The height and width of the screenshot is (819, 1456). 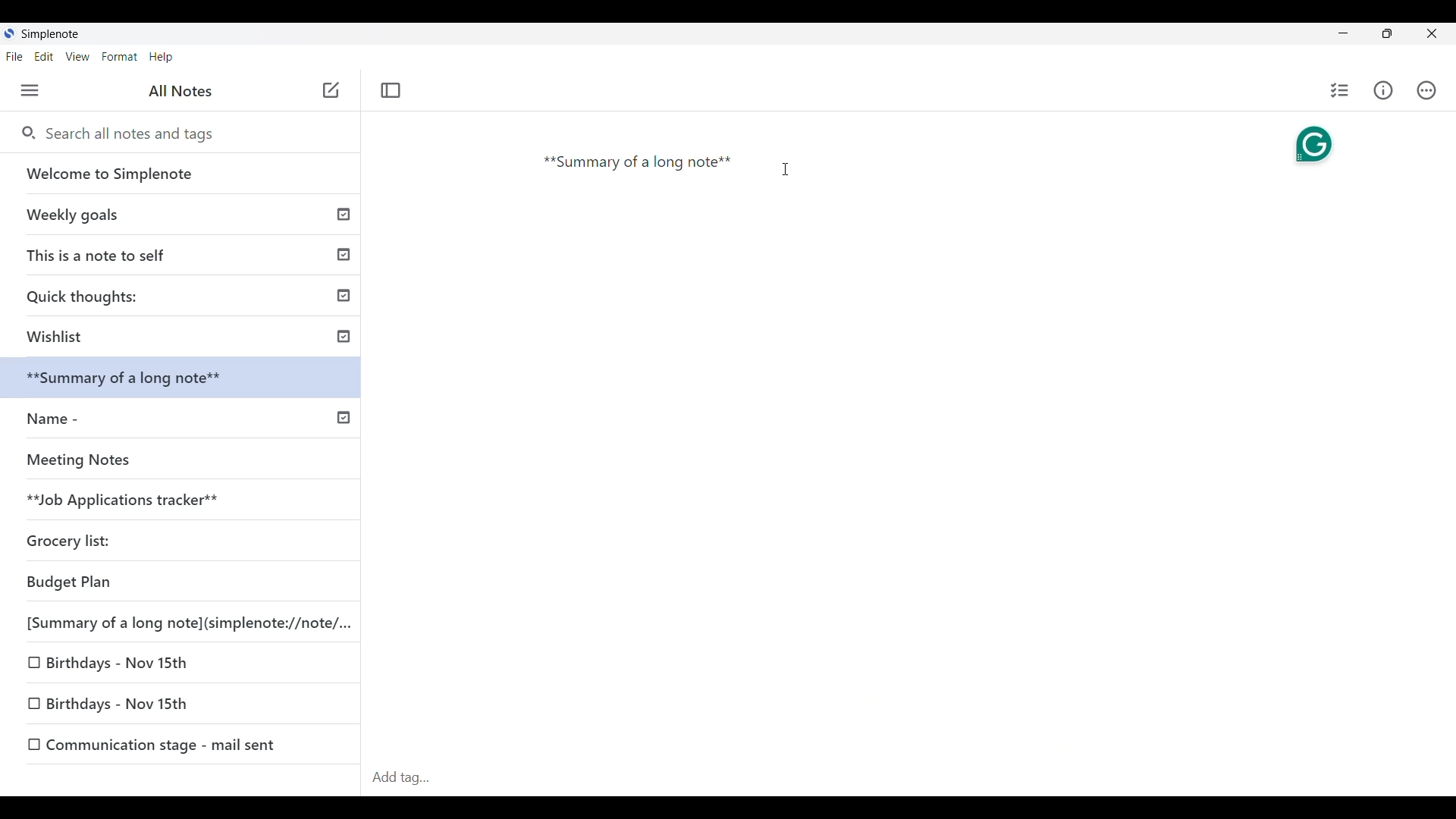 I want to click on Add tag, so click(x=406, y=774).